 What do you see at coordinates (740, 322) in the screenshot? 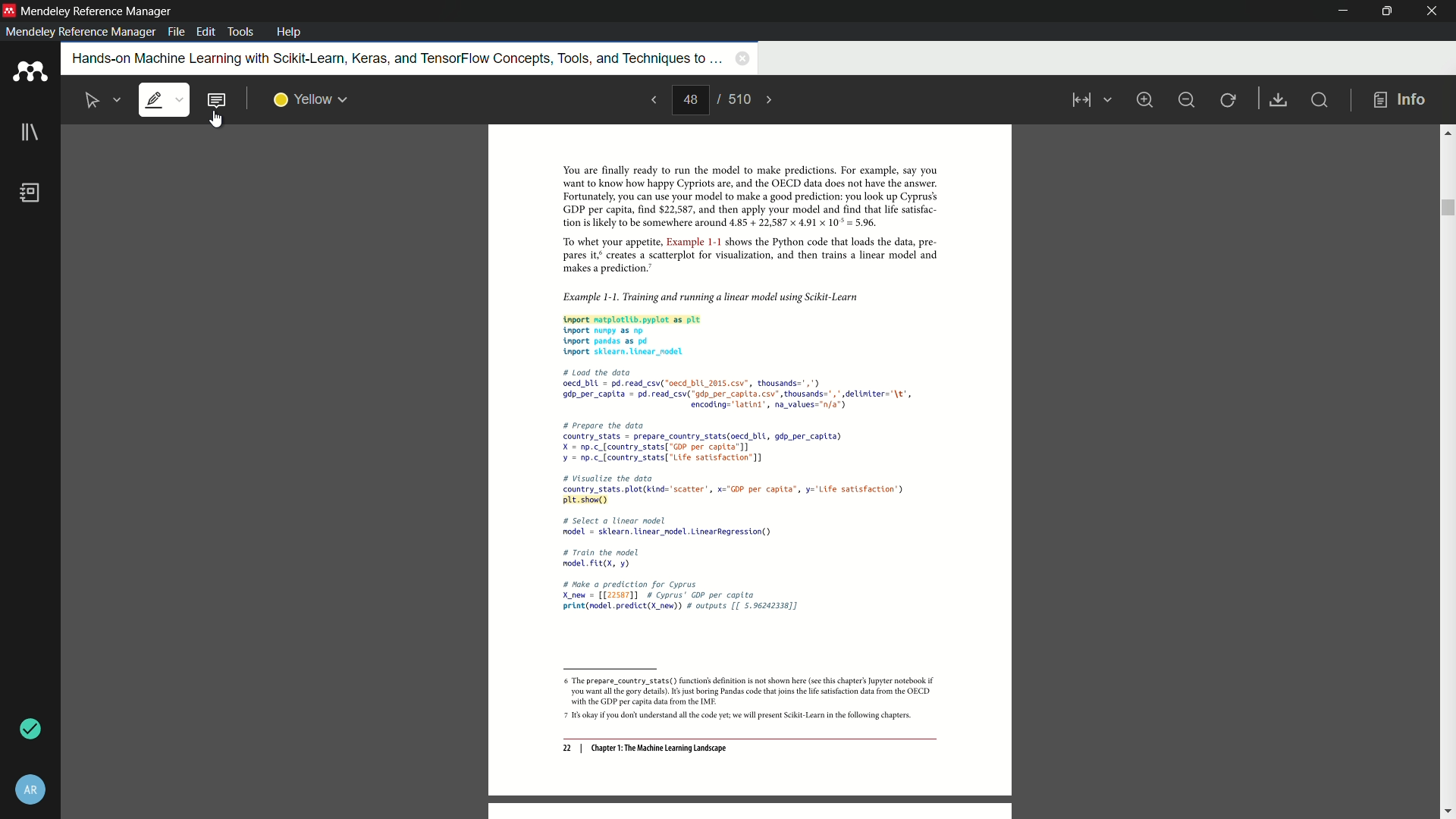
I see `Example 1-1. Training and running a linear model using Scikit-Learn
tnport matplotlib.pyplot as plt

nport nunpy as np.

tnport pandas as pd

tnport sklearn. Linear_nodel` at bounding box center [740, 322].